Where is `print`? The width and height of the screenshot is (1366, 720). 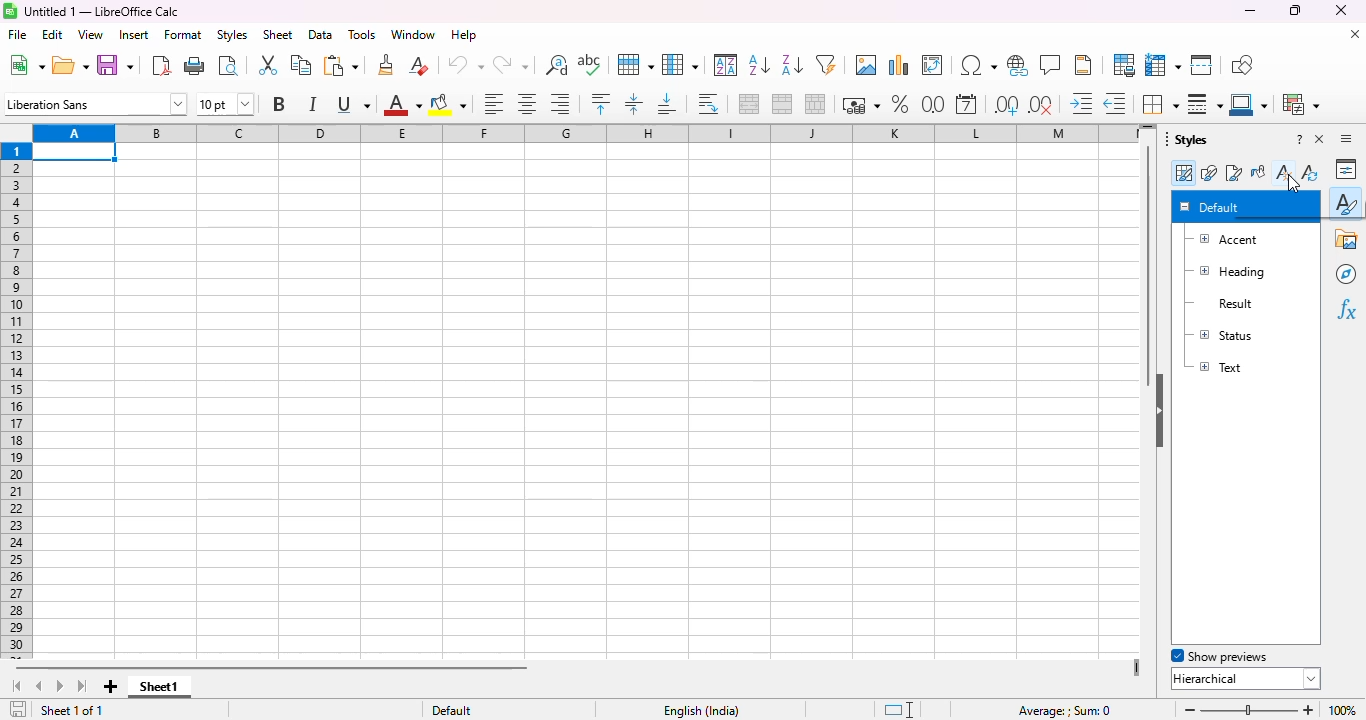 print is located at coordinates (195, 64).